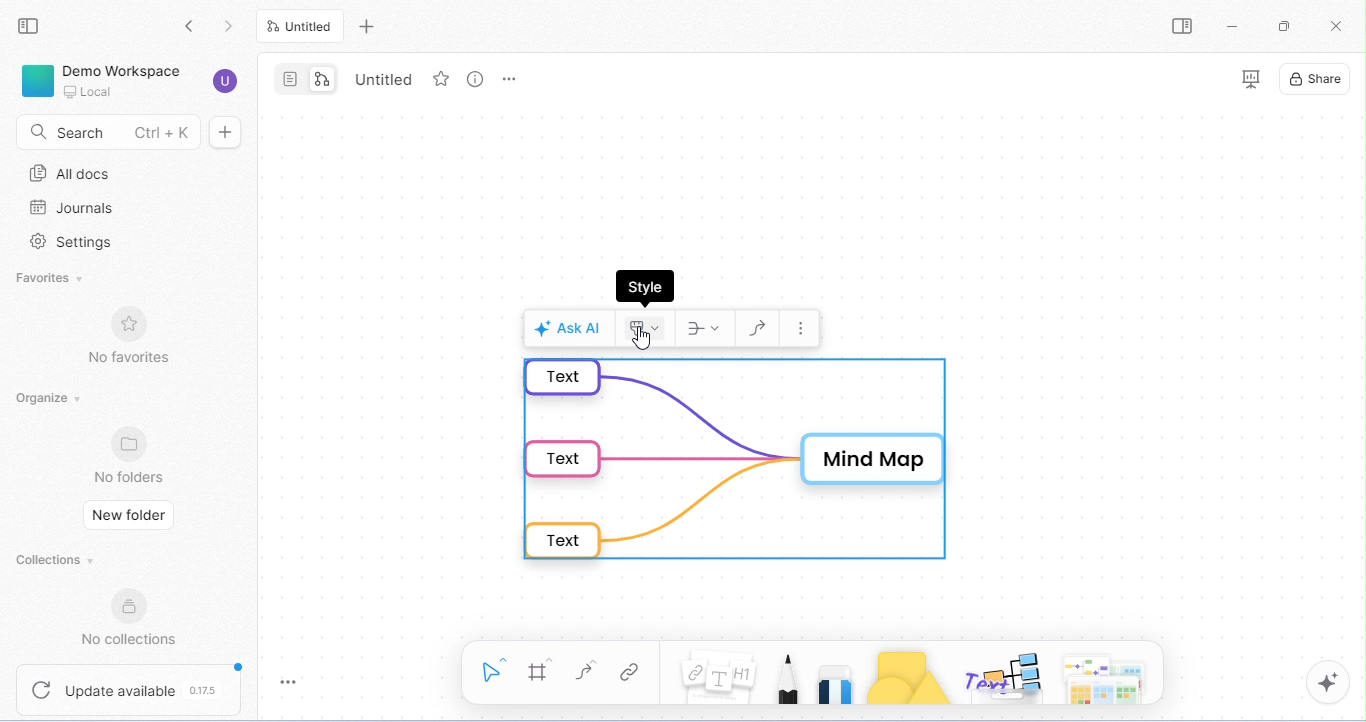 The image size is (1366, 722). What do you see at coordinates (29, 27) in the screenshot?
I see `close sidebar` at bounding box center [29, 27].